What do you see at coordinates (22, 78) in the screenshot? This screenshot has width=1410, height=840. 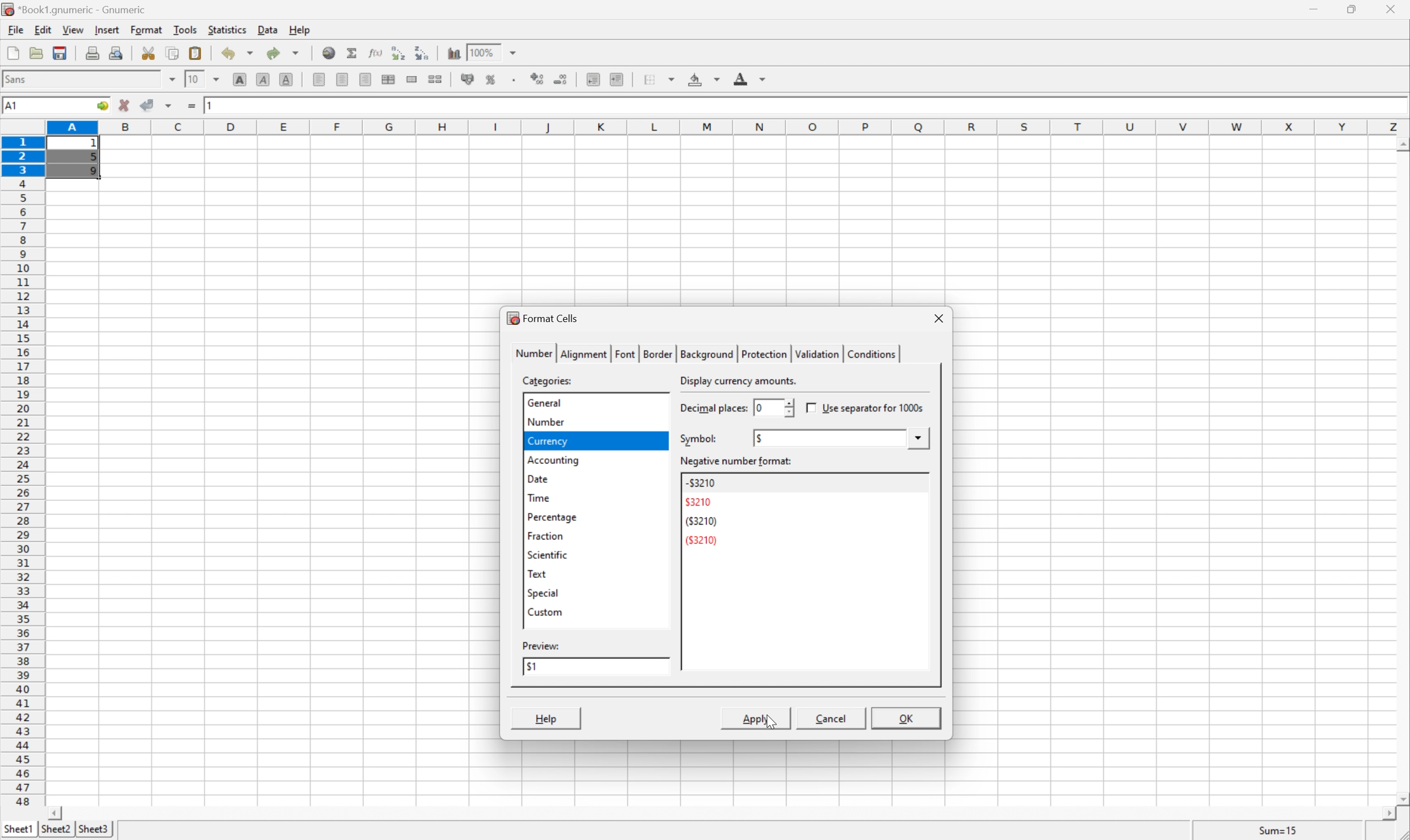 I see `font` at bounding box center [22, 78].